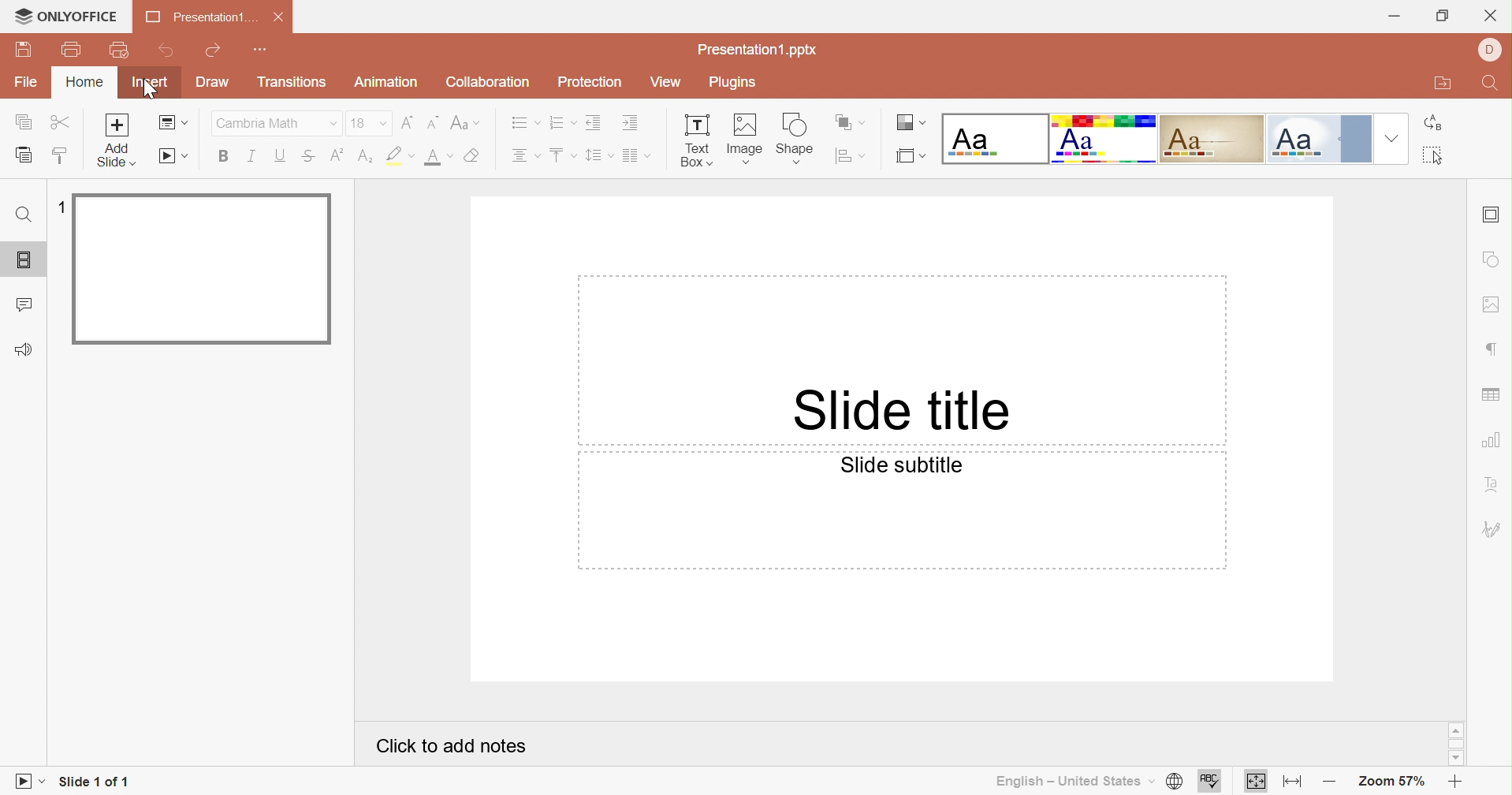  I want to click on Save, so click(34, 49).